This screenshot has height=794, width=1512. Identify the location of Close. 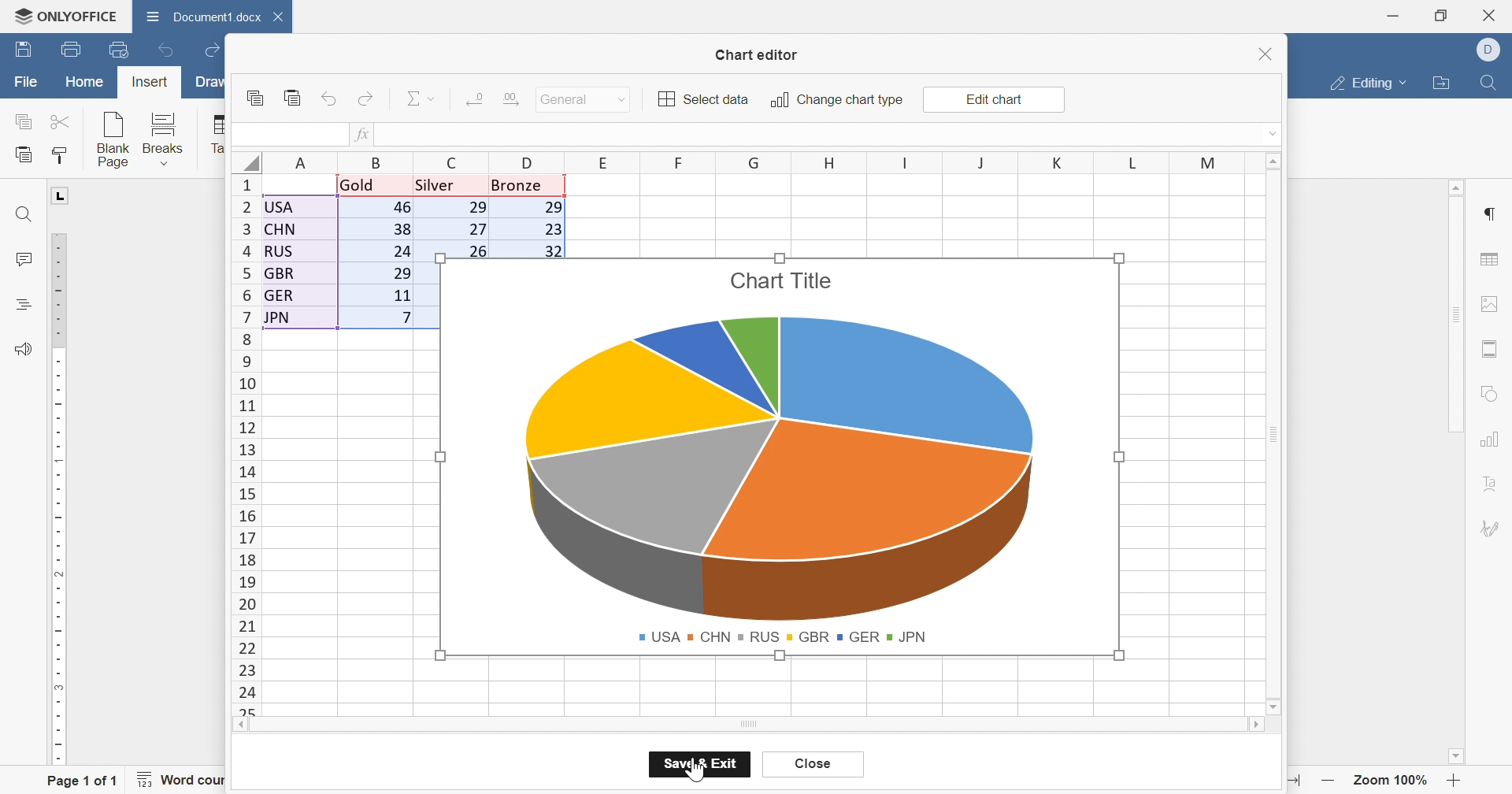
(815, 766).